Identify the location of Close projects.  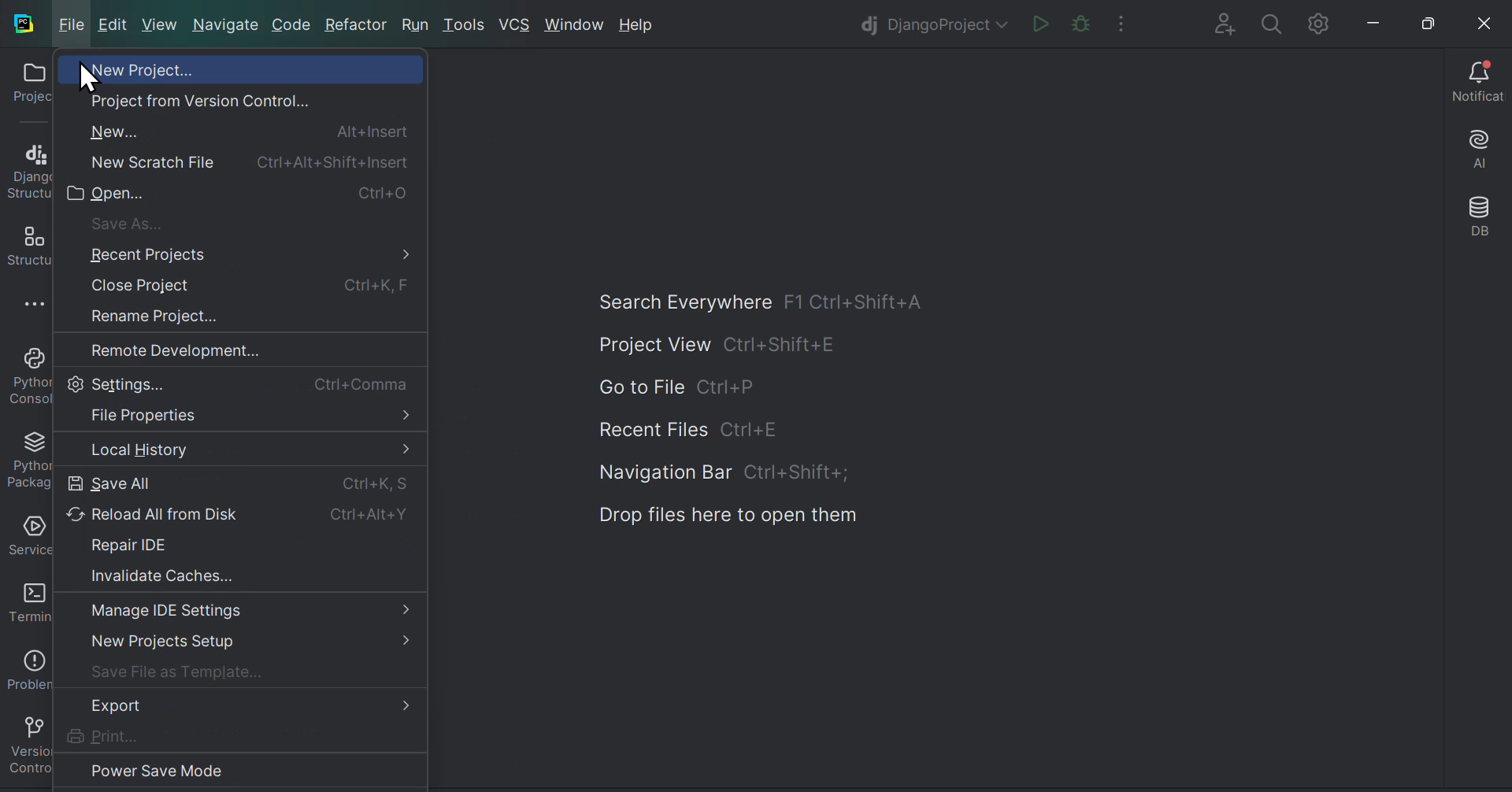
(247, 286).